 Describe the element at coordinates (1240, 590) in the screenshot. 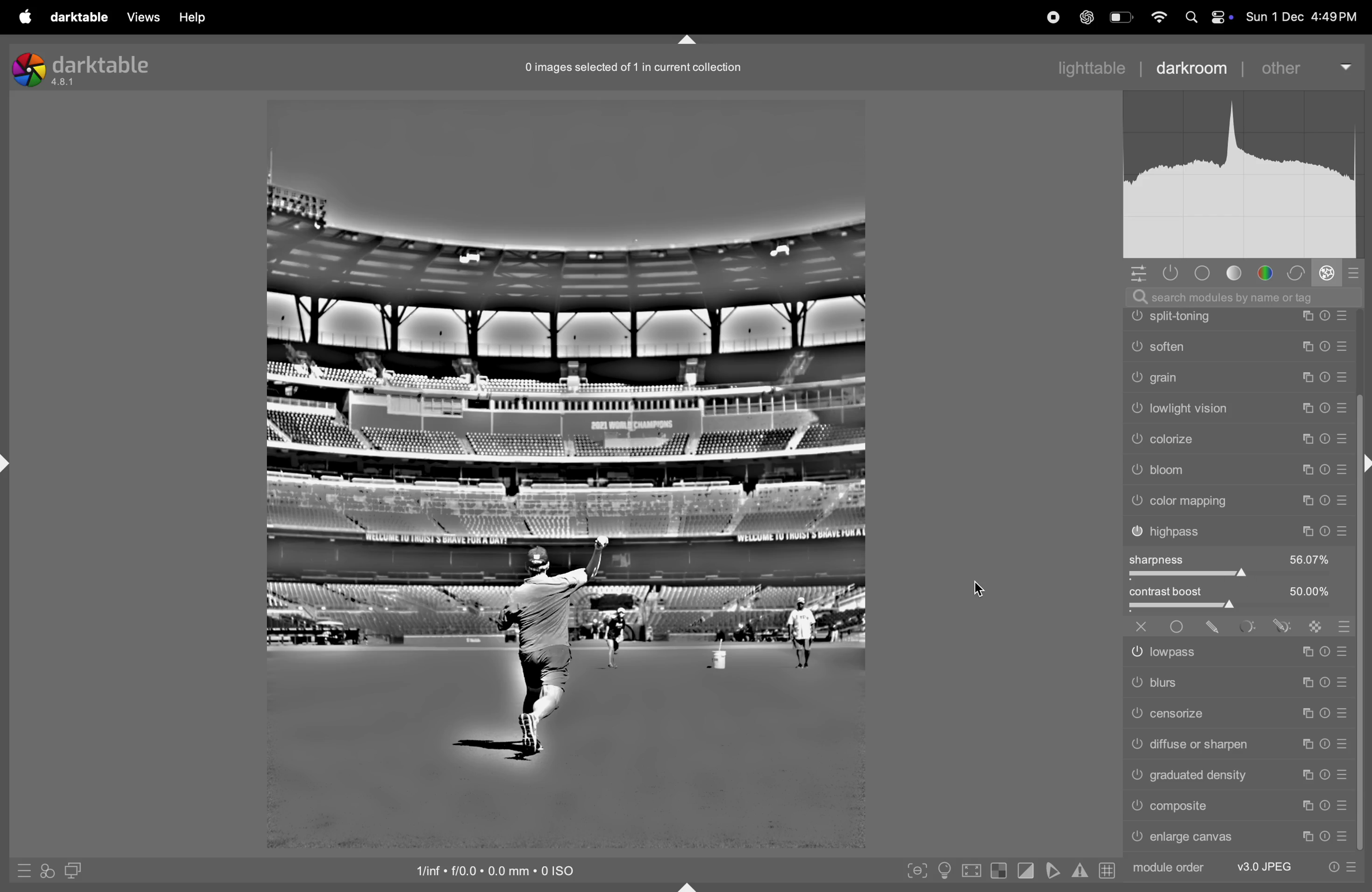

I see `color mapping` at that location.